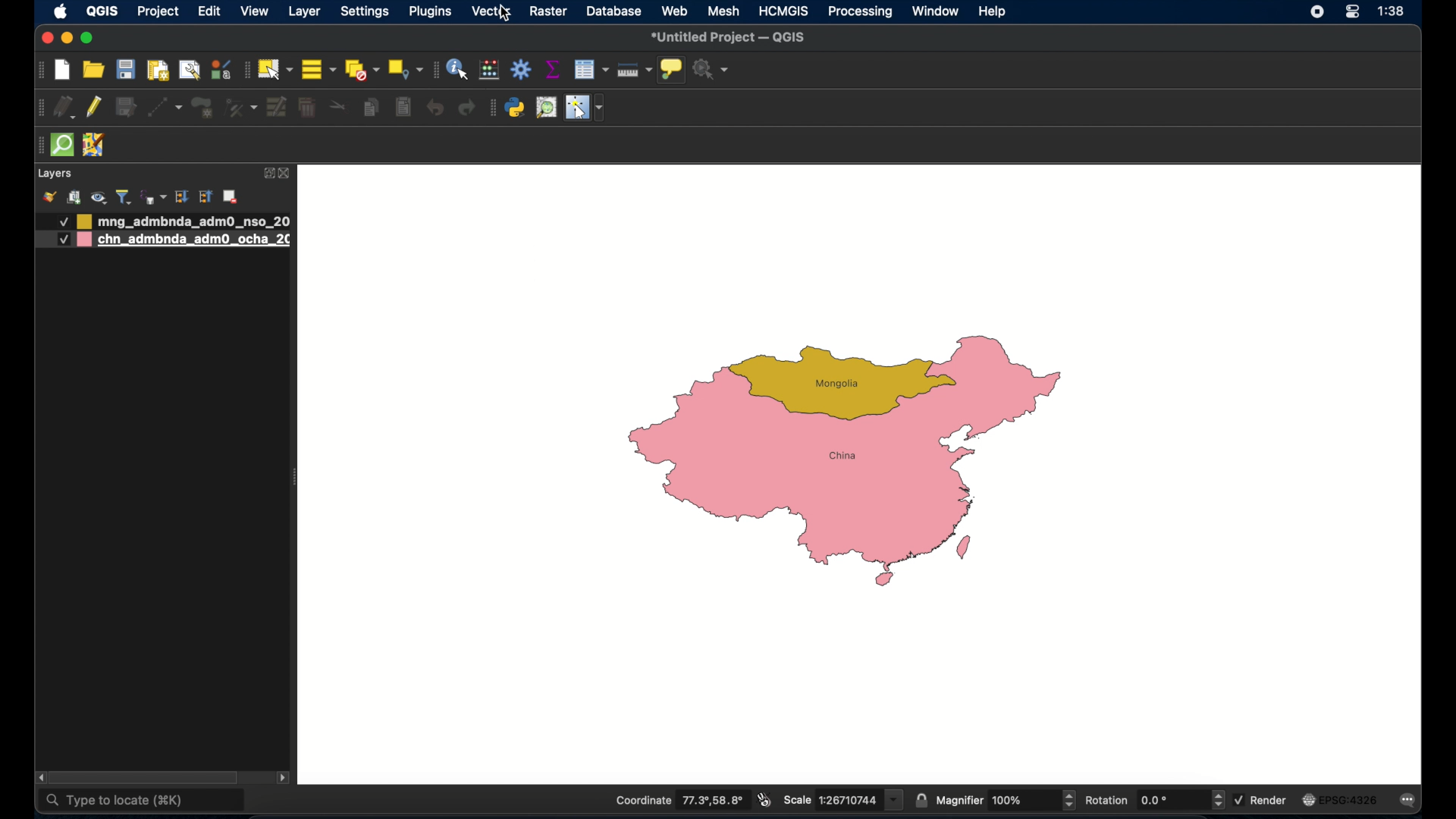  What do you see at coordinates (1155, 800) in the screenshot?
I see `rotation` at bounding box center [1155, 800].